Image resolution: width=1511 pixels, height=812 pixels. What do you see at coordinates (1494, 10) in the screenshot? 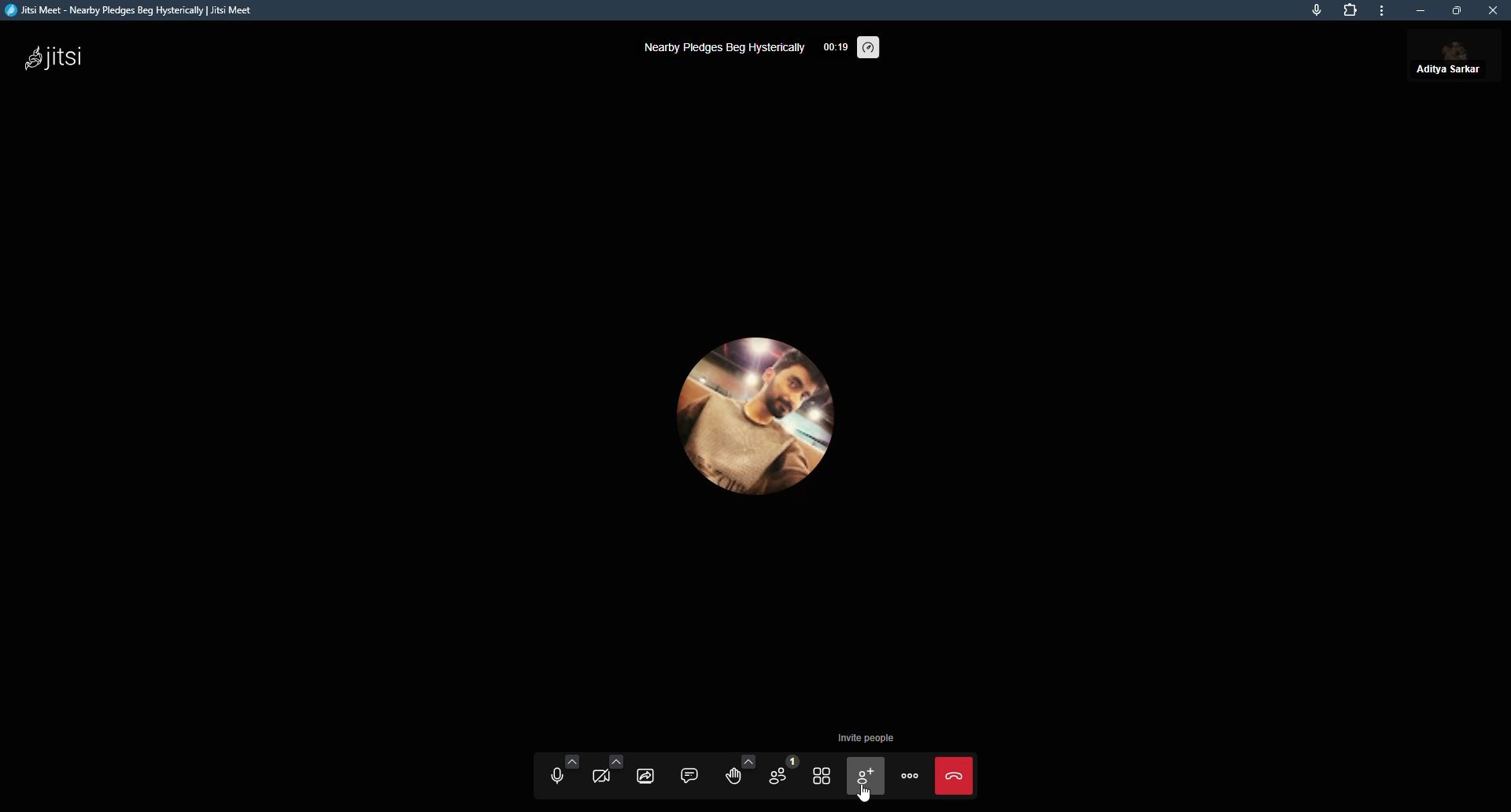
I see `close` at bounding box center [1494, 10].